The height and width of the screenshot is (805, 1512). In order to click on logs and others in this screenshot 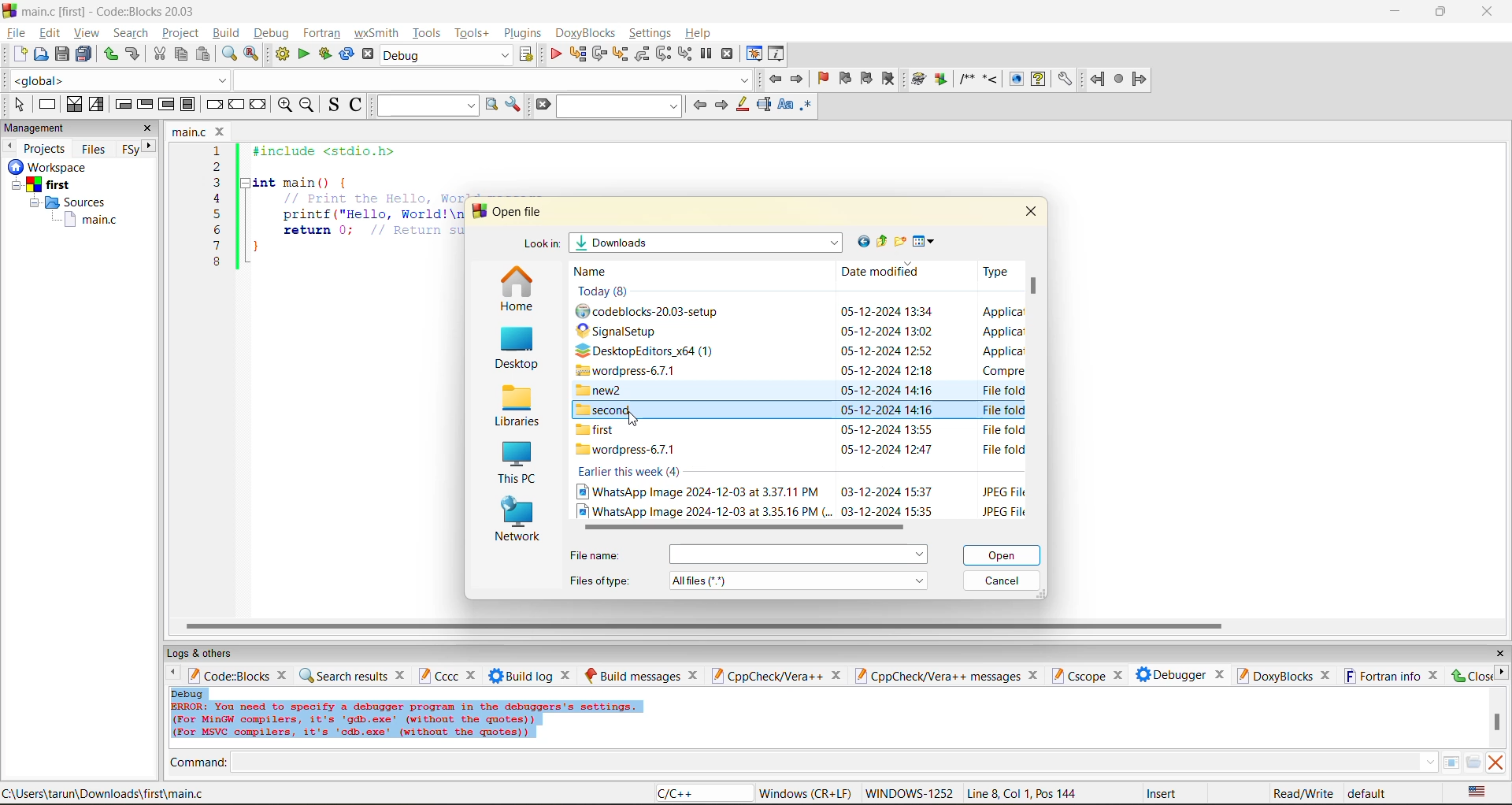, I will do `click(210, 653)`.